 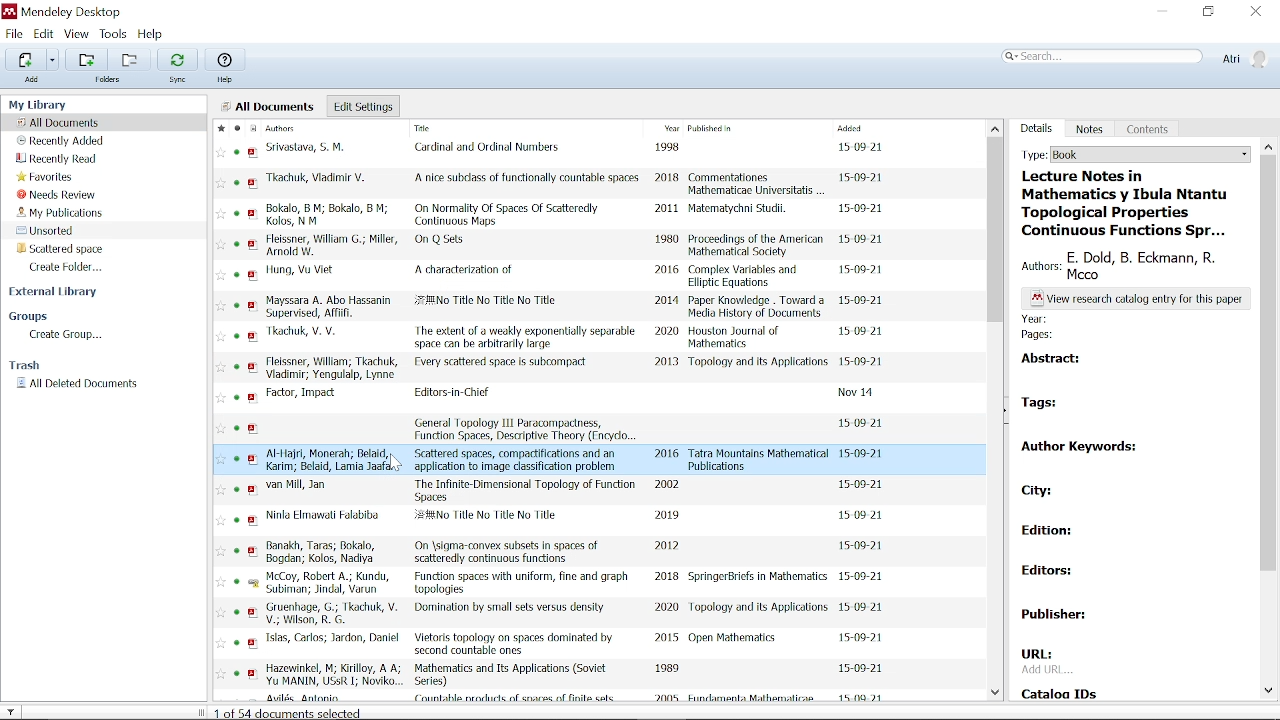 I want to click on Close, so click(x=1257, y=12).